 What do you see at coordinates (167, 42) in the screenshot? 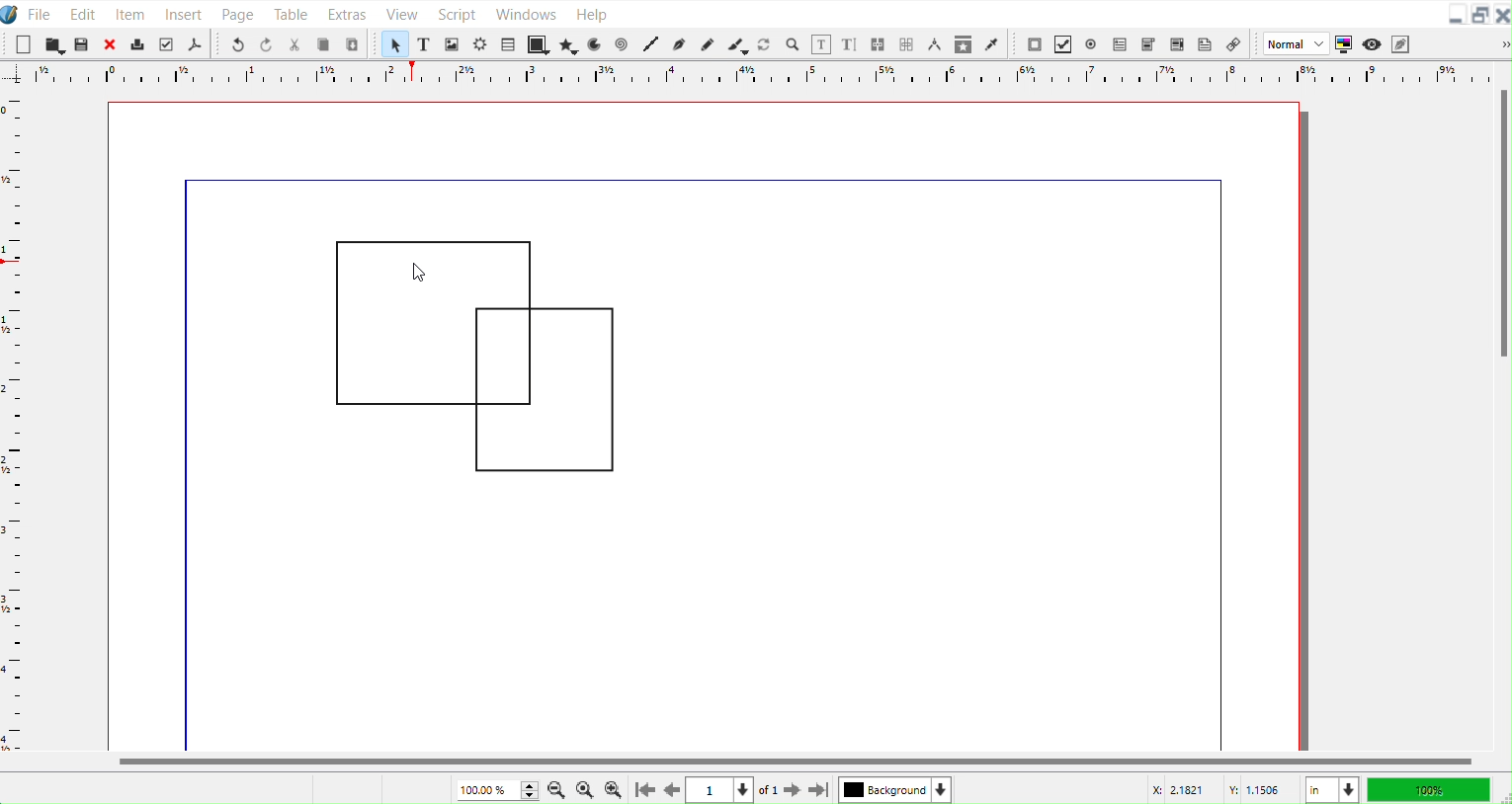
I see `Preflight verifier` at bounding box center [167, 42].